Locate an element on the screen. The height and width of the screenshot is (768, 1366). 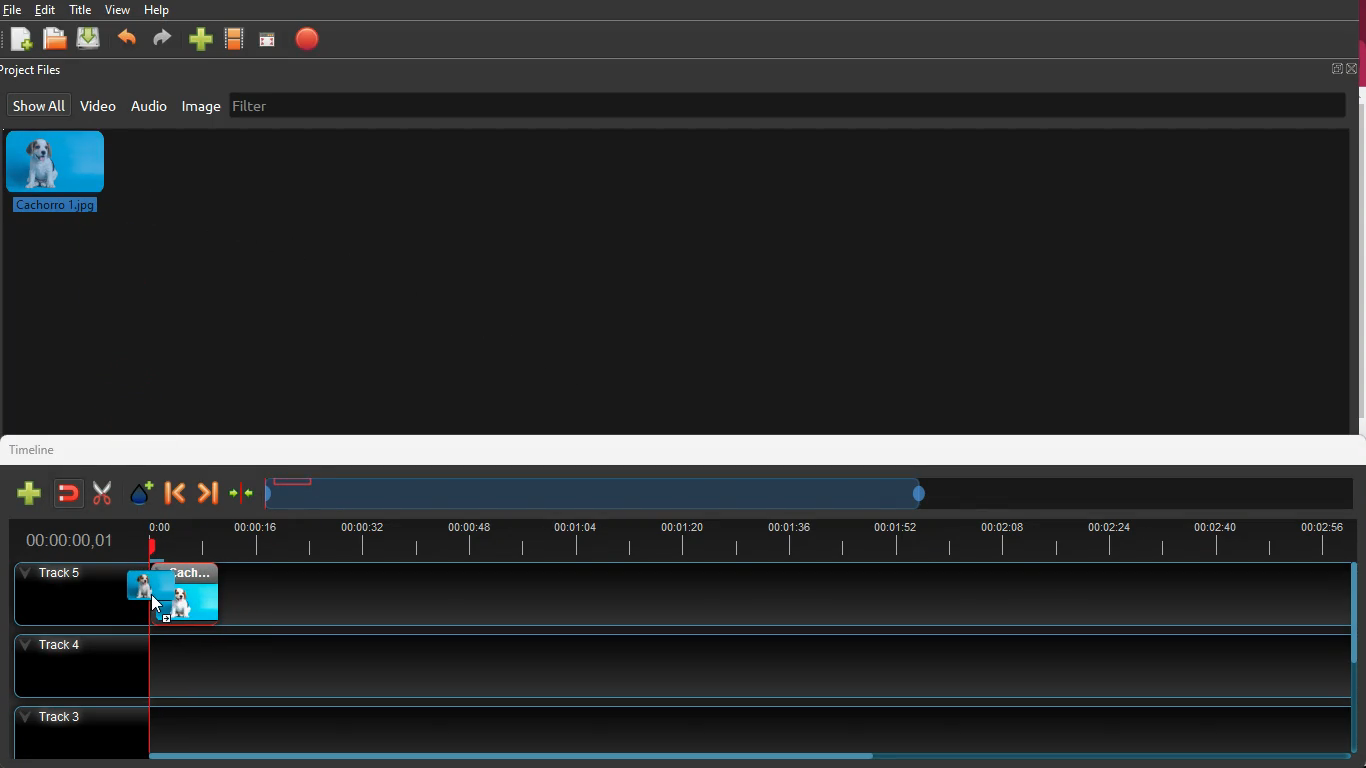
audio is located at coordinates (149, 105).